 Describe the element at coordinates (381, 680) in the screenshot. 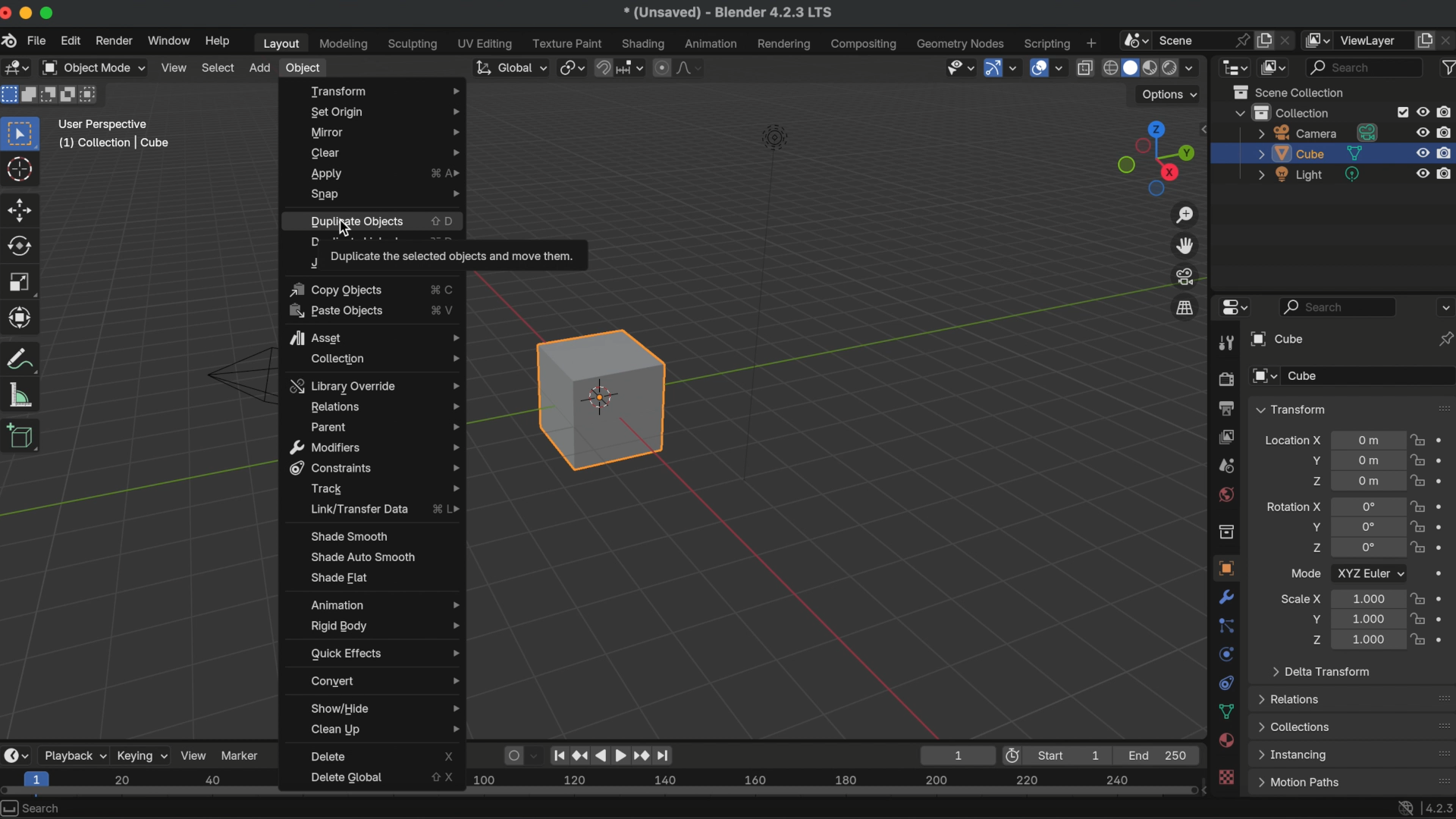

I see `convert menu` at that location.